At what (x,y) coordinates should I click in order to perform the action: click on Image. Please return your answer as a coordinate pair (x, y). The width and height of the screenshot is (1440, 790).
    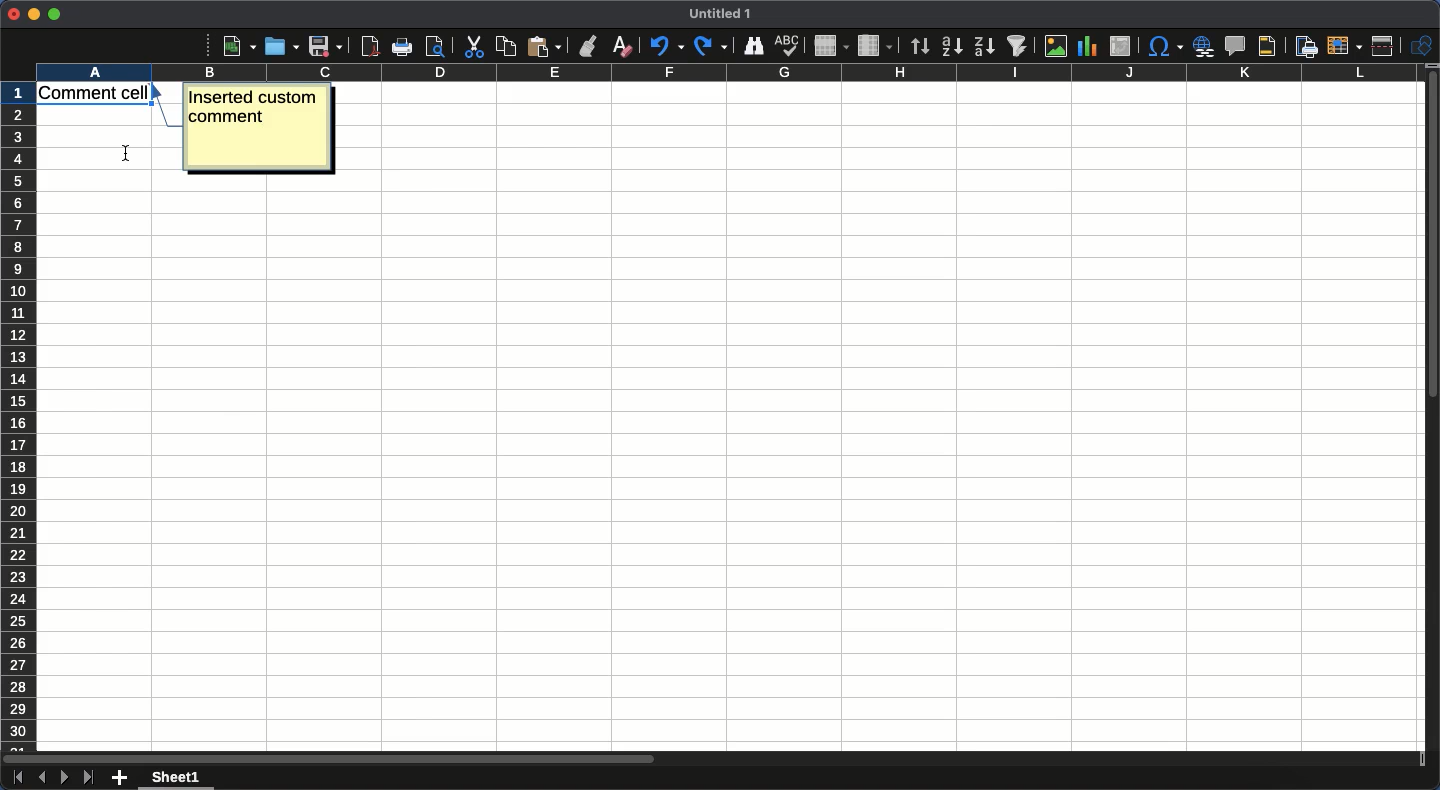
    Looking at the image, I should click on (1058, 46).